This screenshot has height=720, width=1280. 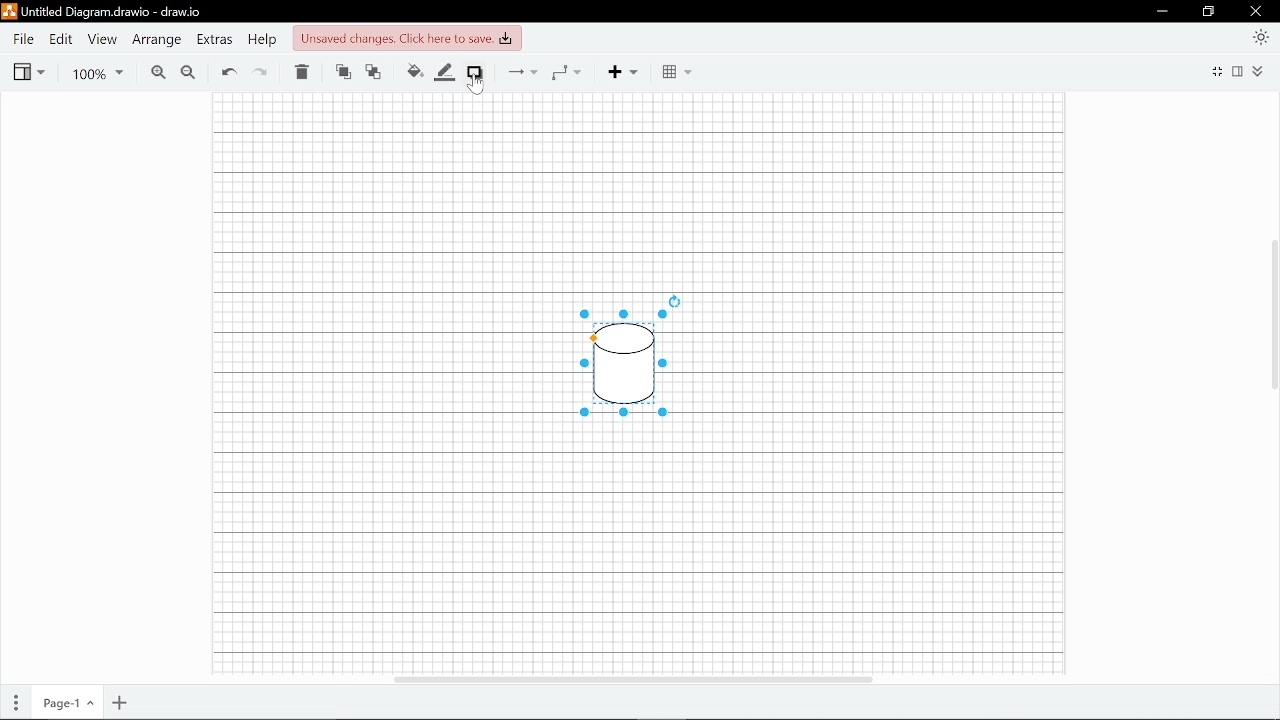 What do you see at coordinates (677, 72) in the screenshot?
I see `Table` at bounding box center [677, 72].